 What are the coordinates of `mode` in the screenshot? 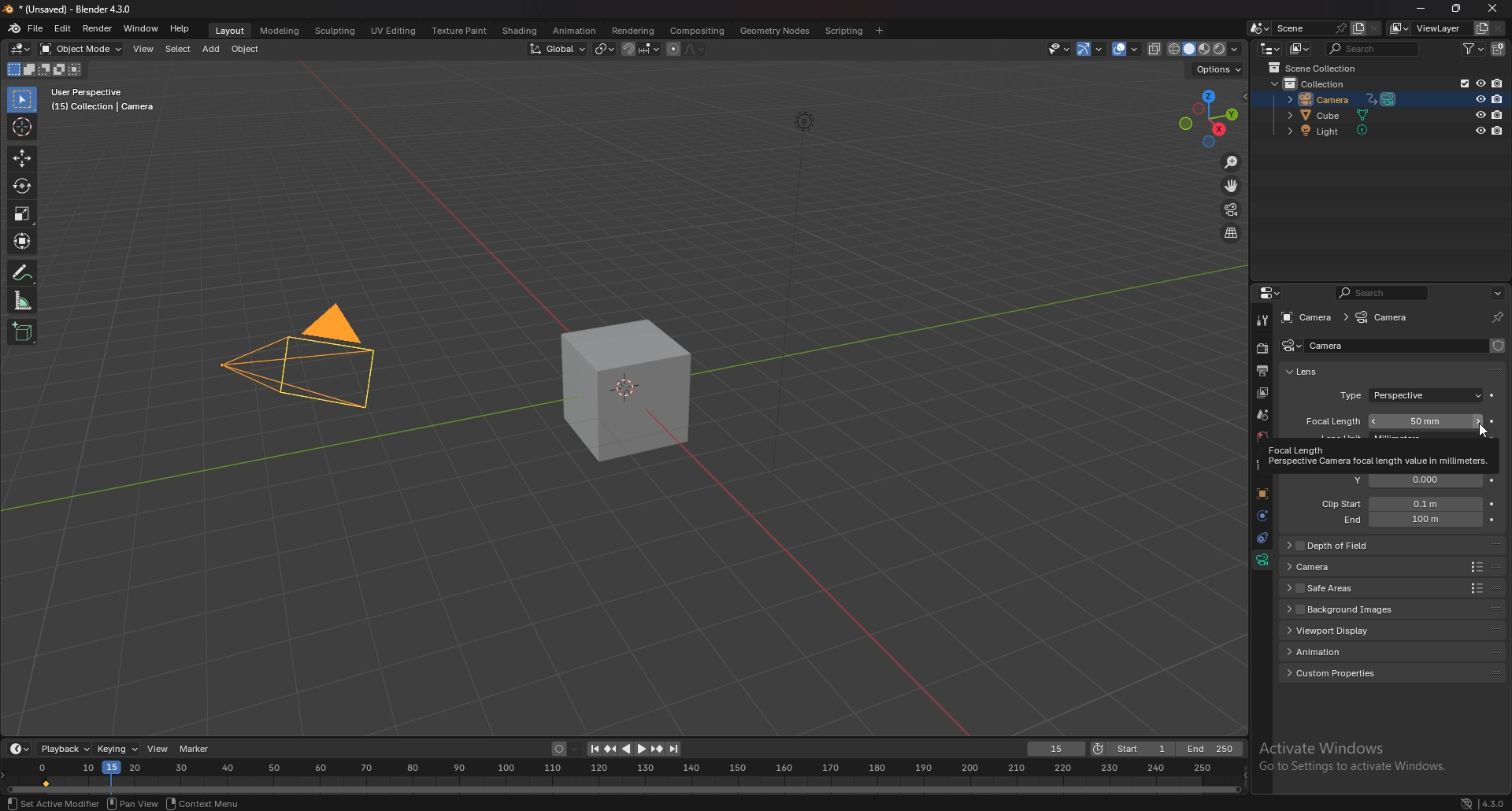 It's located at (44, 69).